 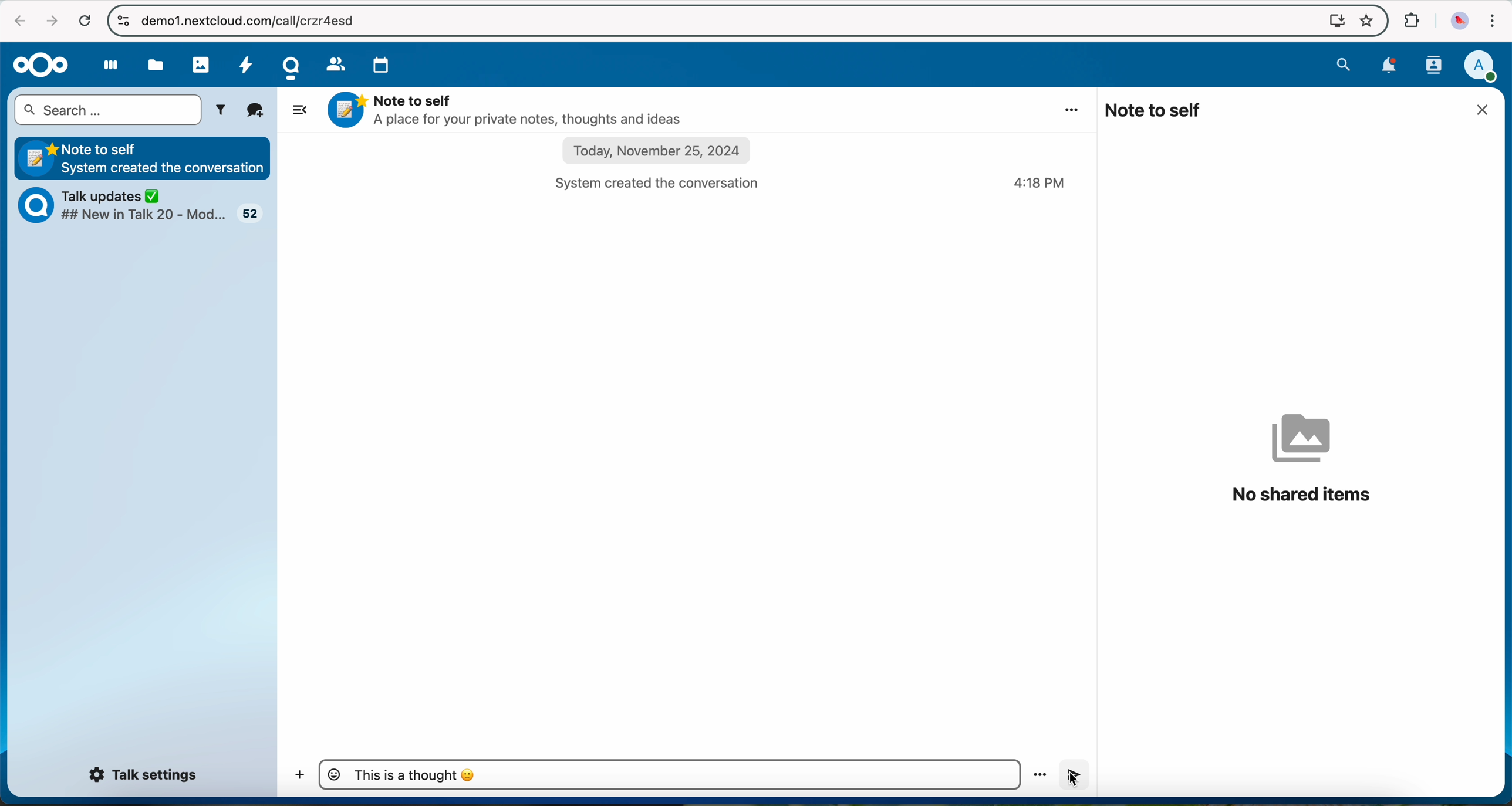 I want to click on Note to self, so click(x=509, y=110).